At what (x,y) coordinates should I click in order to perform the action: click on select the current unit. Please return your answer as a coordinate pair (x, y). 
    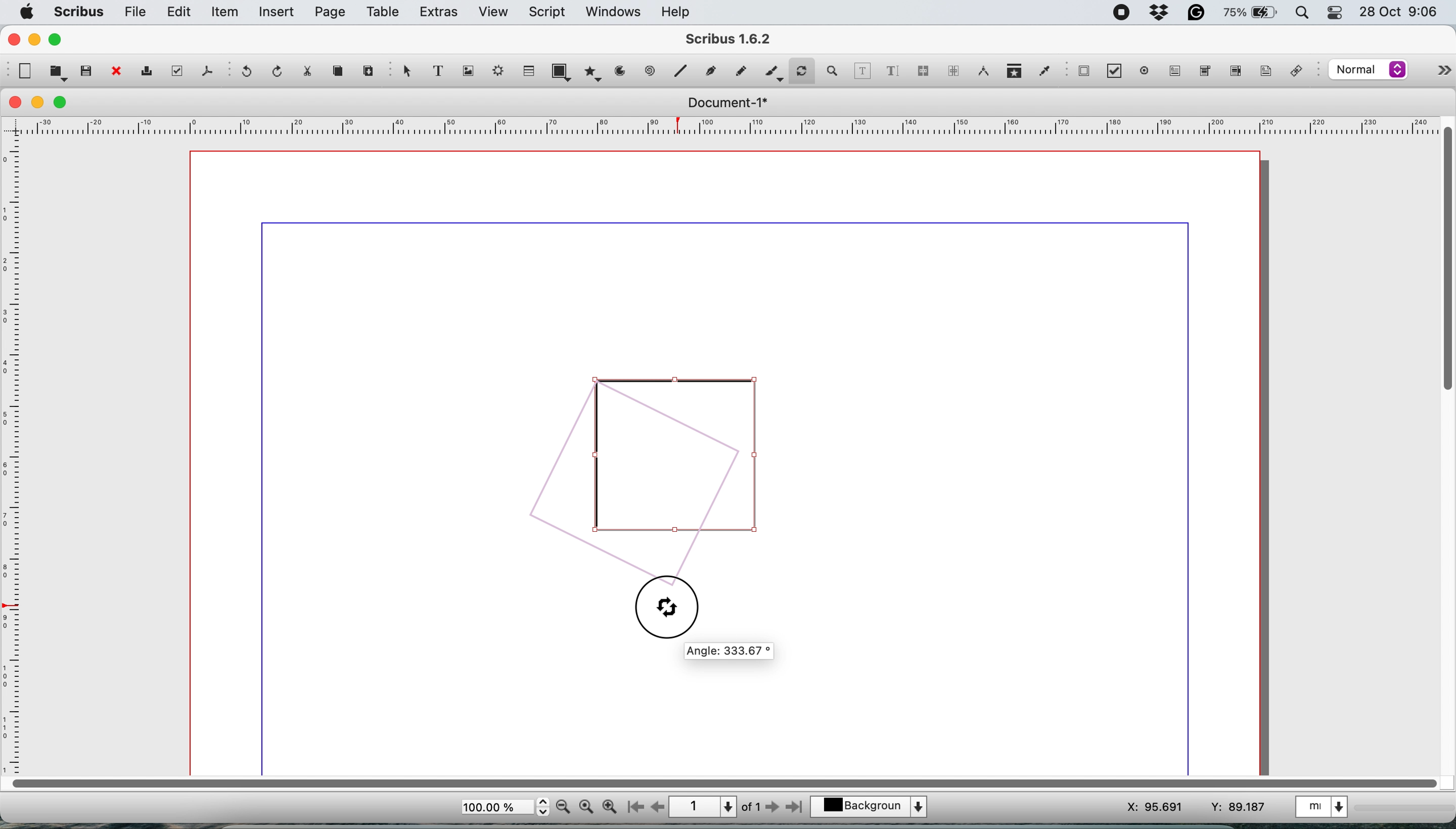
    Looking at the image, I should click on (1328, 809).